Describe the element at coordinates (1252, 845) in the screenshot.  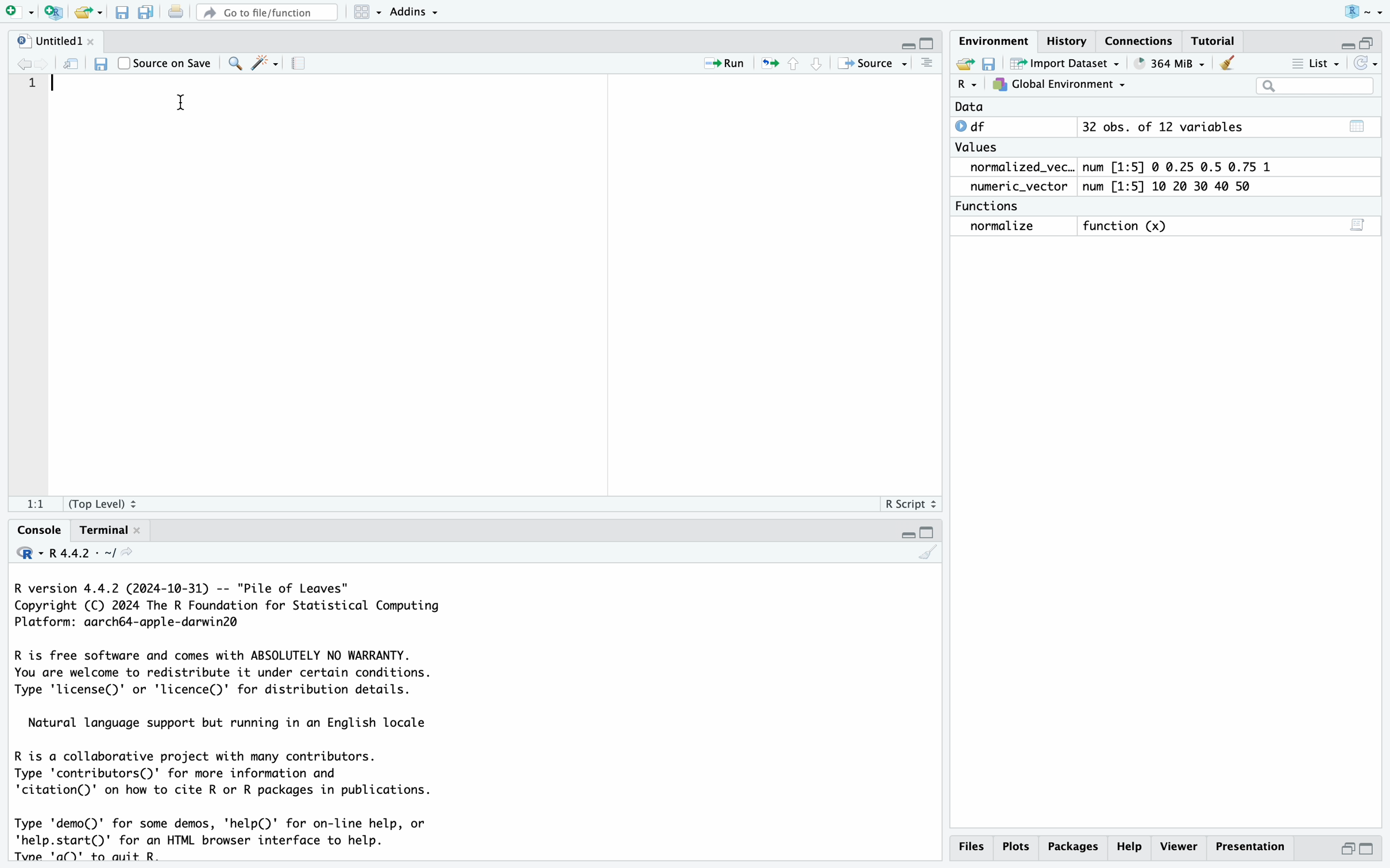
I see `Presentation` at that location.